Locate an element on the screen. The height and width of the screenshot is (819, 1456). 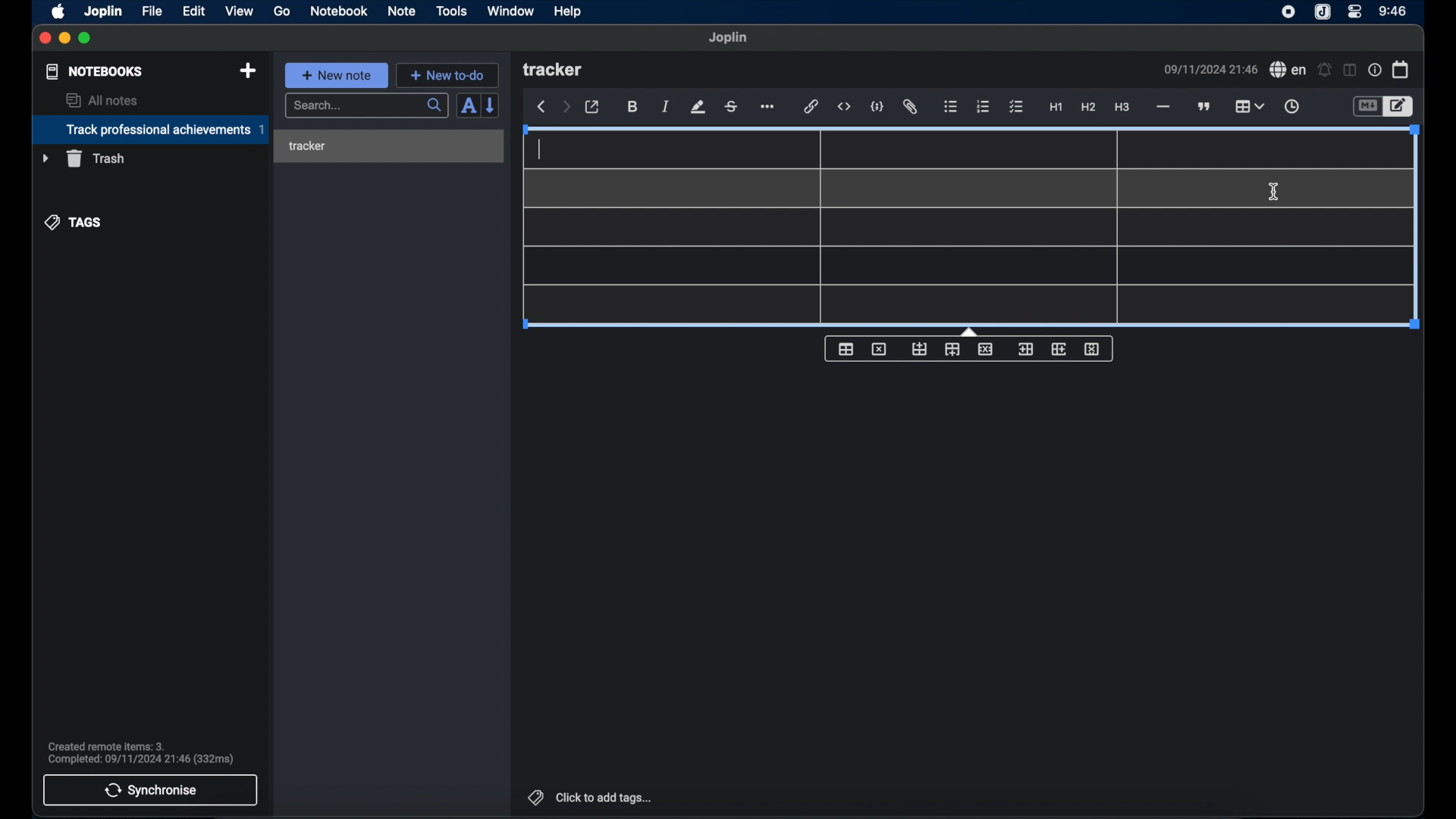
highlight is located at coordinates (698, 107).